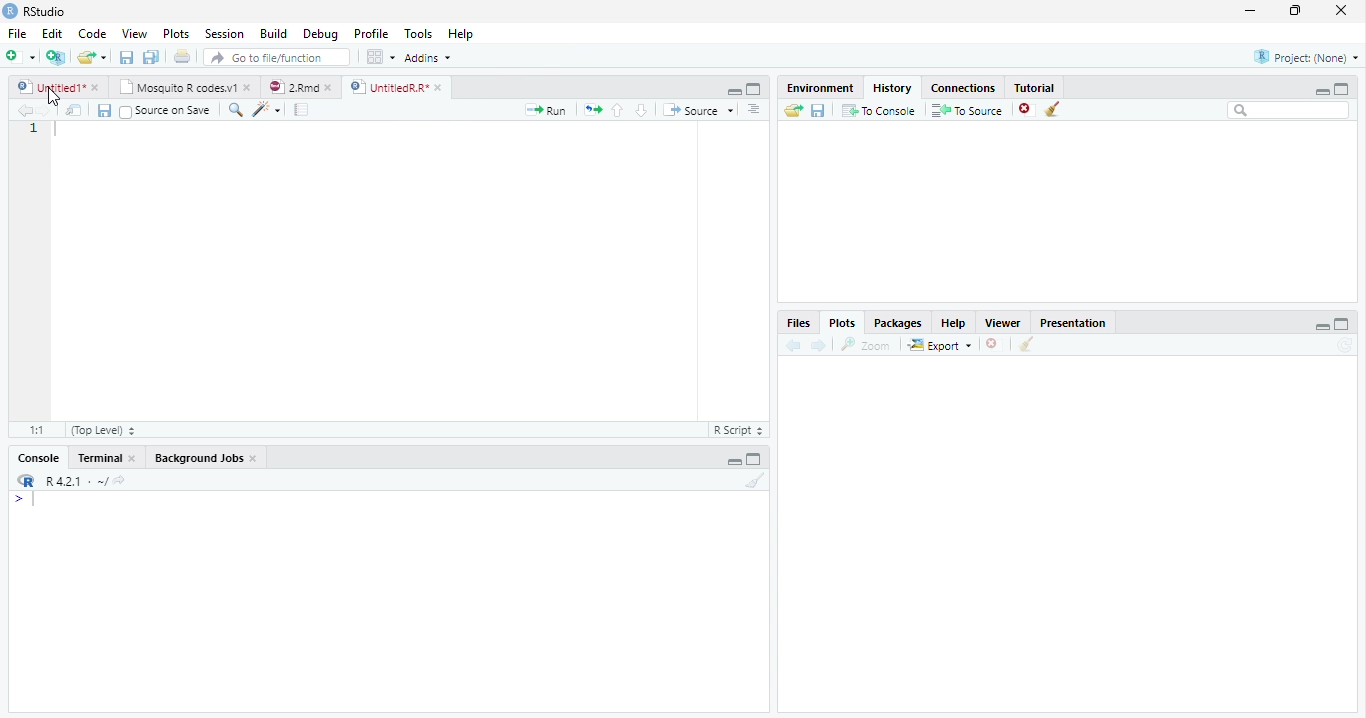  Describe the element at coordinates (277, 57) in the screenshot. I see `Go to file/function` at that location.